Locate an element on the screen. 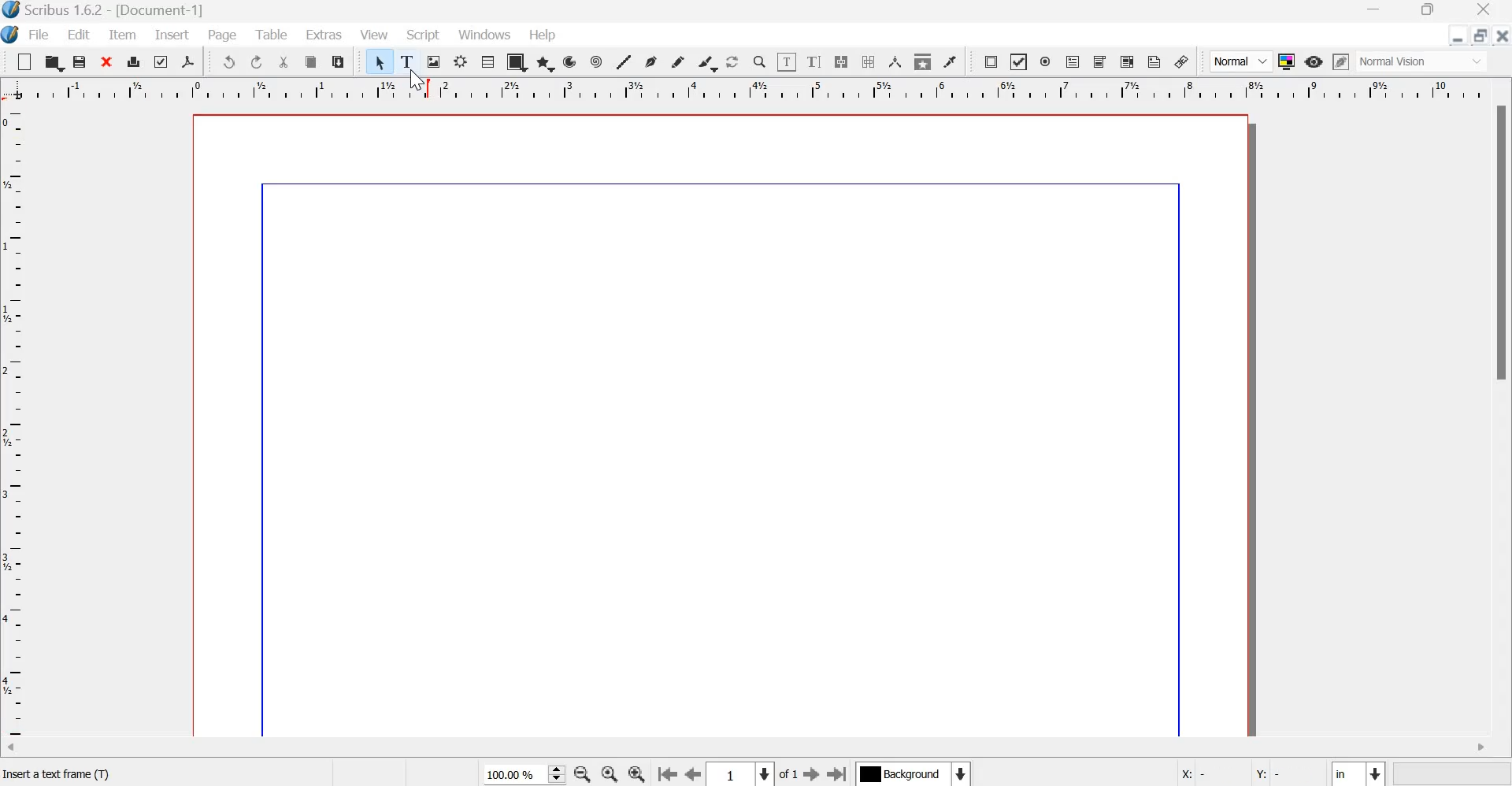  Cursor  is located at coordinates (417, 78).